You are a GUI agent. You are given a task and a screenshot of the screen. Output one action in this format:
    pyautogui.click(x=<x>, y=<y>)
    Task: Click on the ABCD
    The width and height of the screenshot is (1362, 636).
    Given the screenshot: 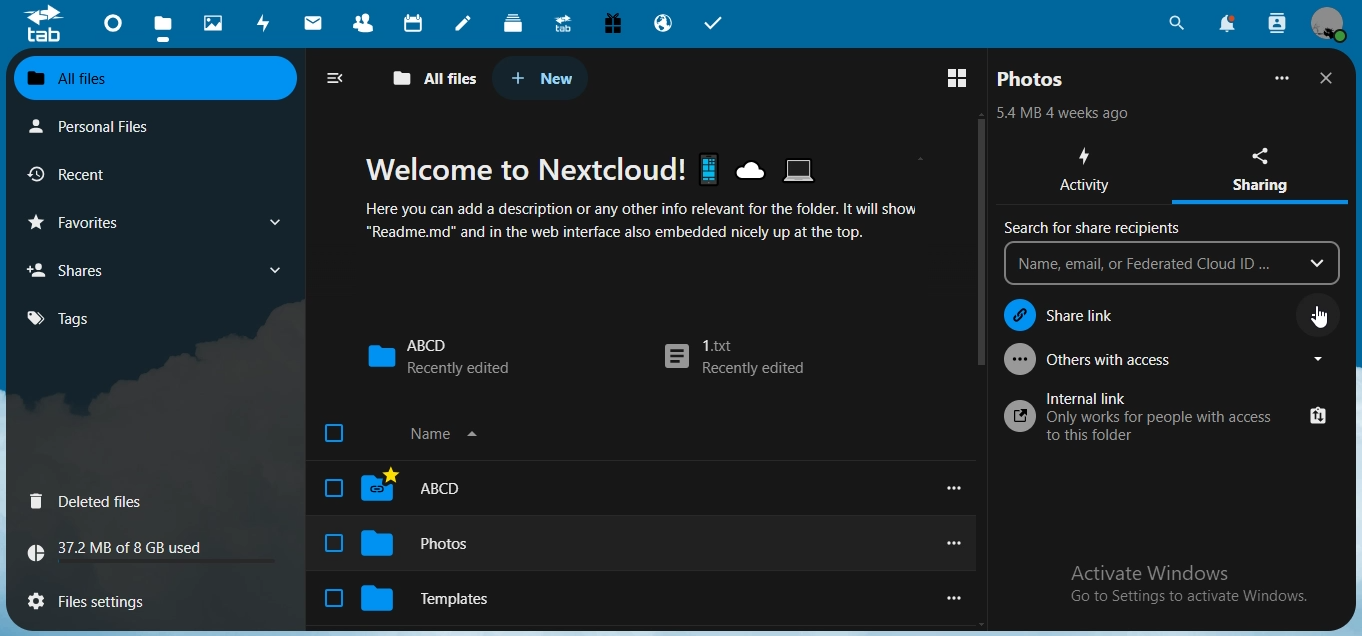 What is the action you would take?
    pyautogui.click(x=425, y=485)
    